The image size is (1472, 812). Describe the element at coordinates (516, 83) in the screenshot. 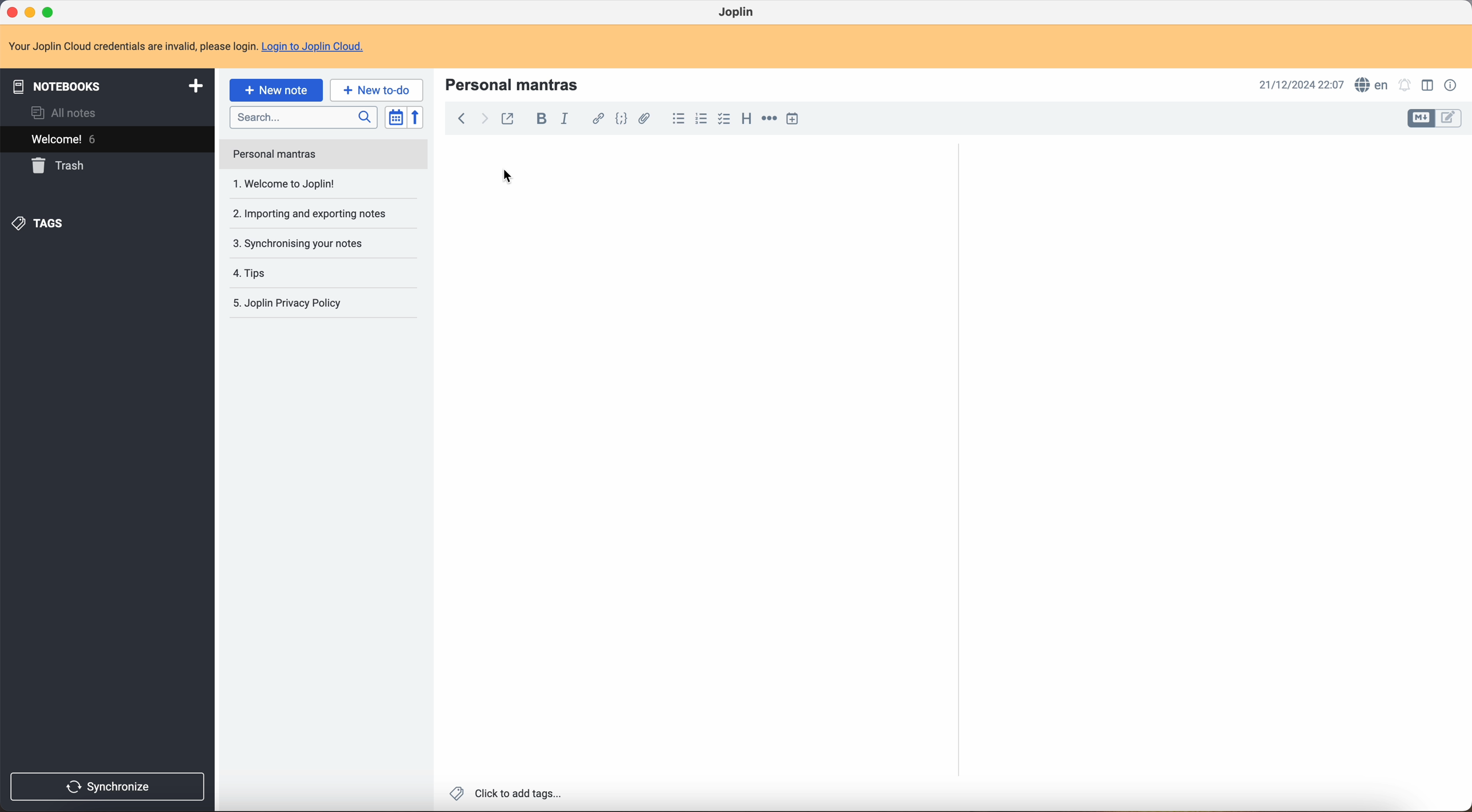

I see `personal mantras title` at that location.